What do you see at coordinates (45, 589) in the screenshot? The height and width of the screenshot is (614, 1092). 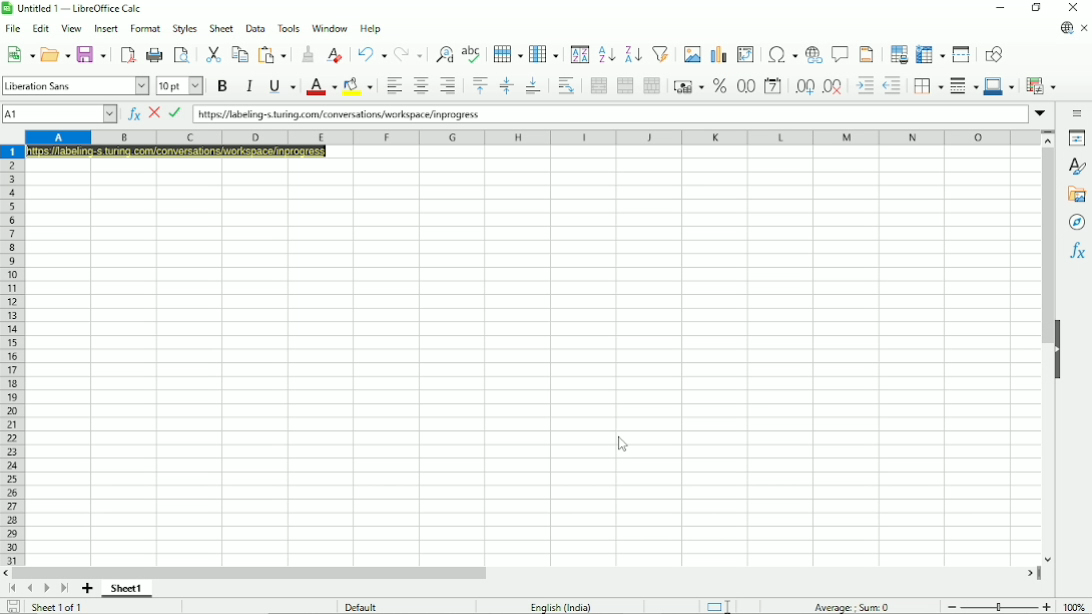 I see `Scroll to next page` at bounding box center [45, 589].